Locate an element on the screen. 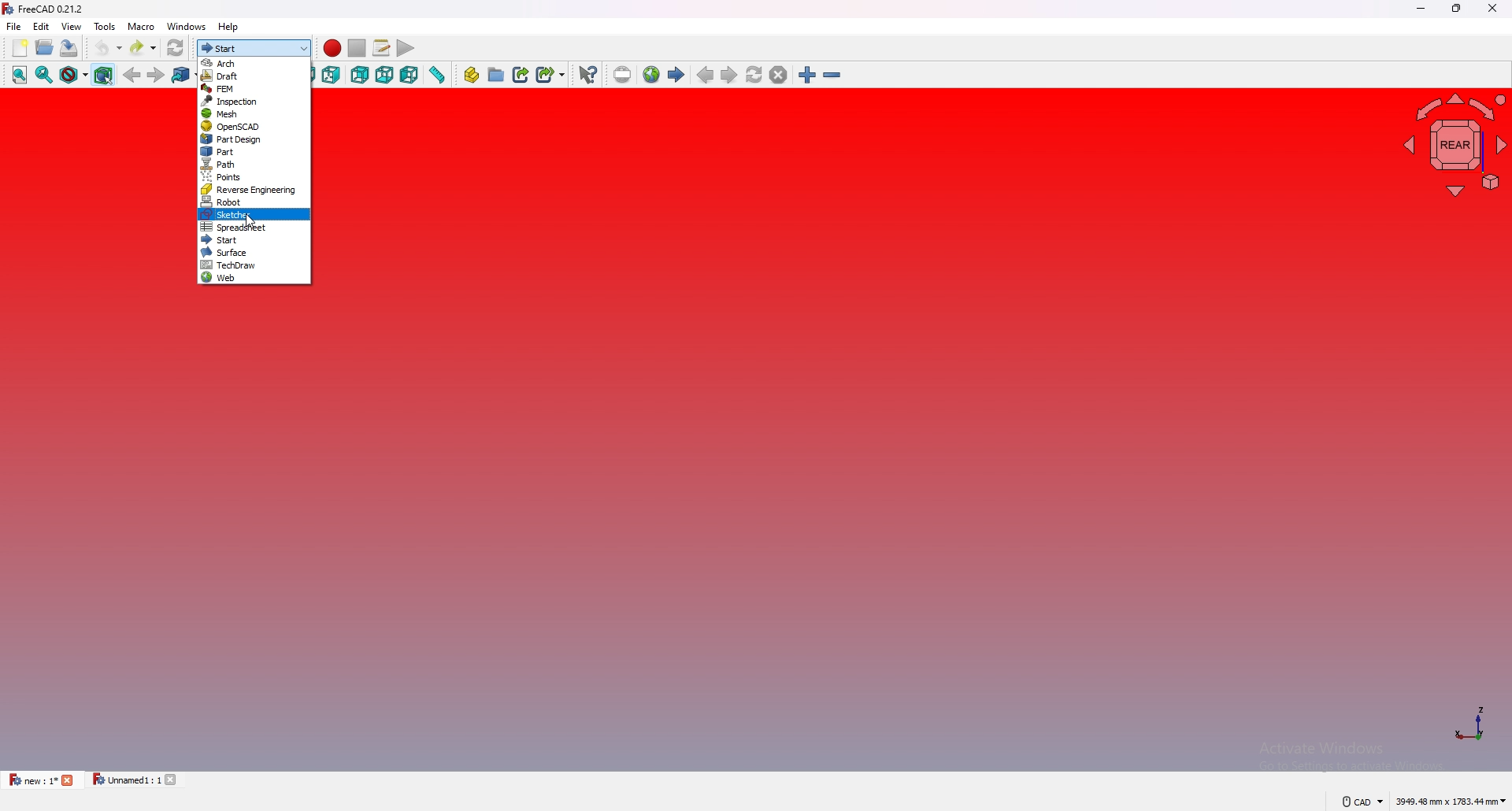 This screenshot has width=1512, height=811. create link is located at coordinates (522, 74).